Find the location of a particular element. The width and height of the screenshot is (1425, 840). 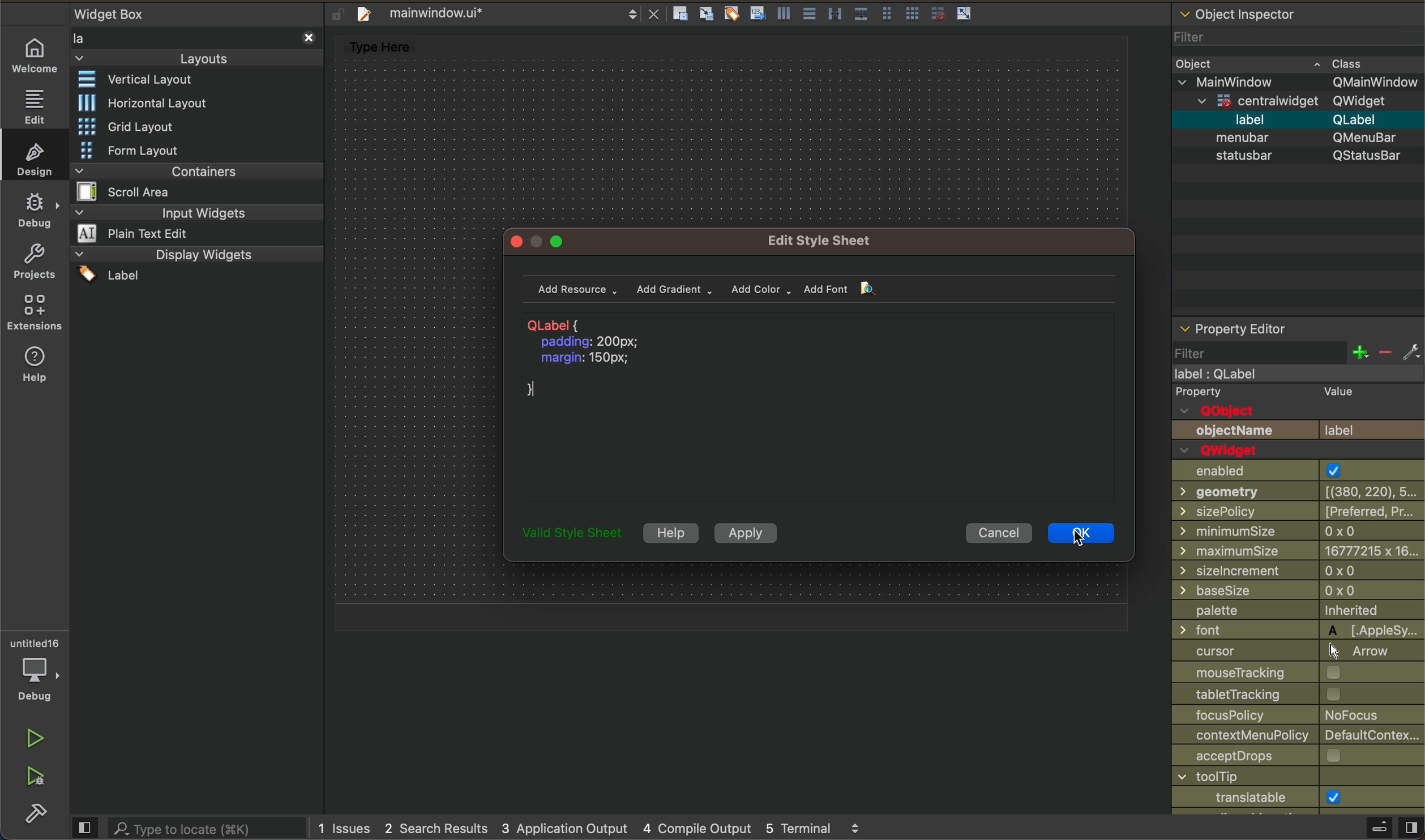

object name is located at coordinates (1297, 430).